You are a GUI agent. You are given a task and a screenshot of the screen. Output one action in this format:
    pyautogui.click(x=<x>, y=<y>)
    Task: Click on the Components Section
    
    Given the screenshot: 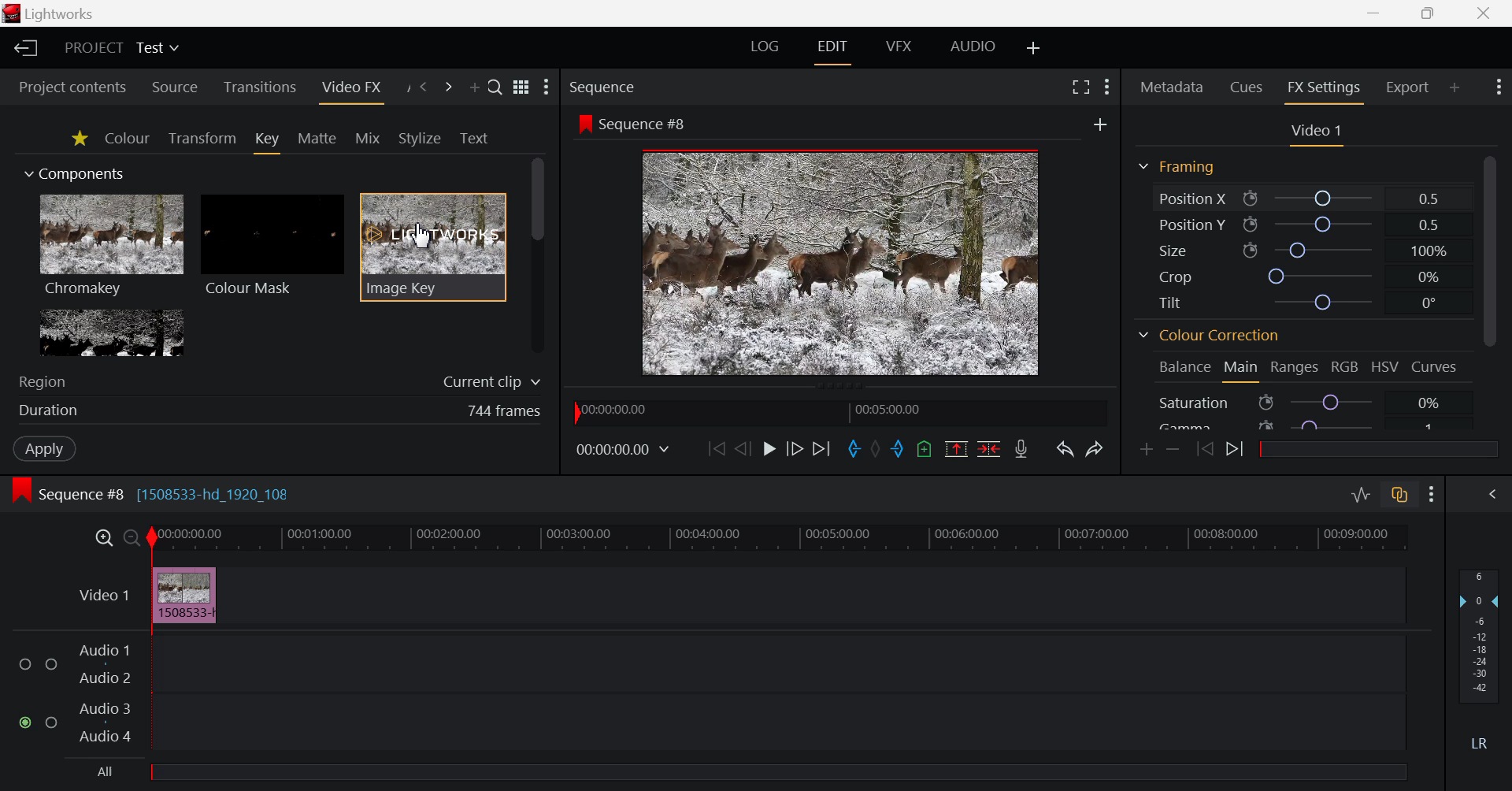 What is the action you would take?
    pyautogui.click(x=81, y=171)
    